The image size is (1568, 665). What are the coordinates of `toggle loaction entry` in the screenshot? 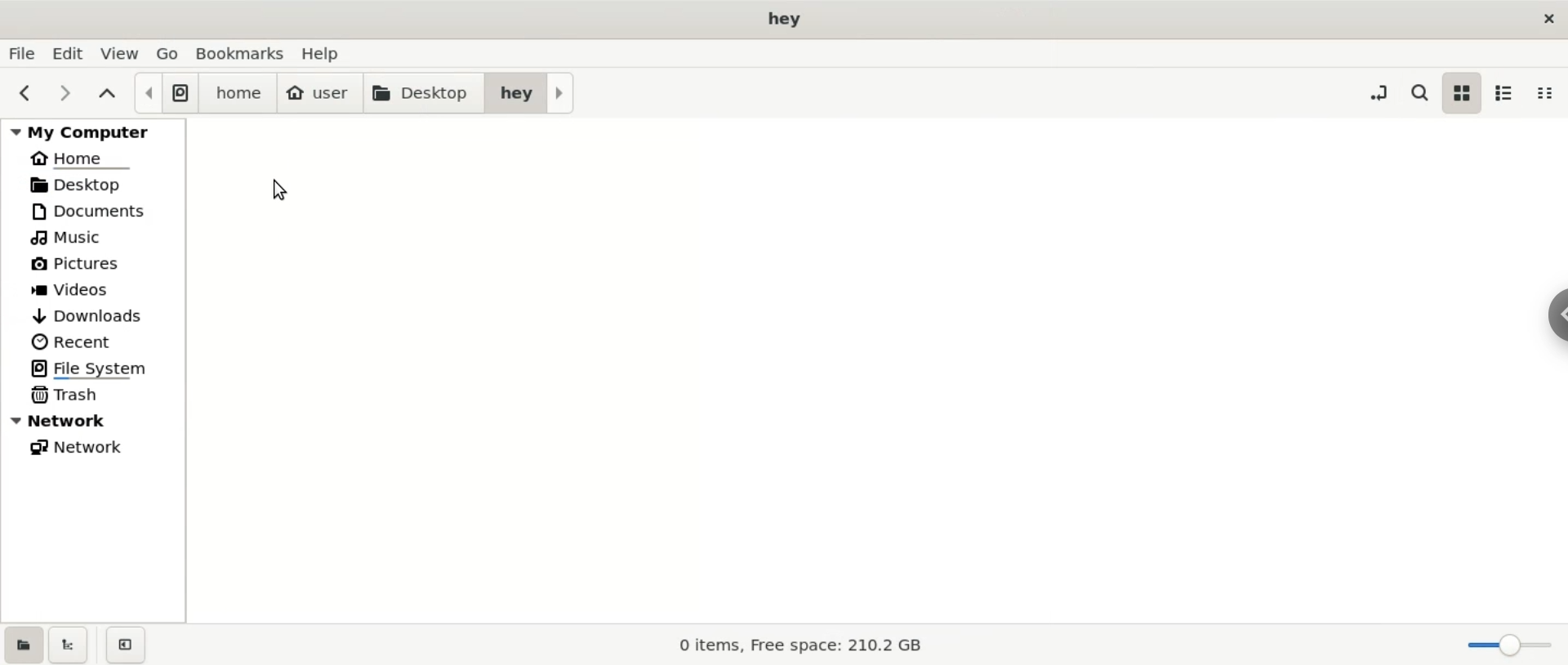 It's located at (1382, 91).